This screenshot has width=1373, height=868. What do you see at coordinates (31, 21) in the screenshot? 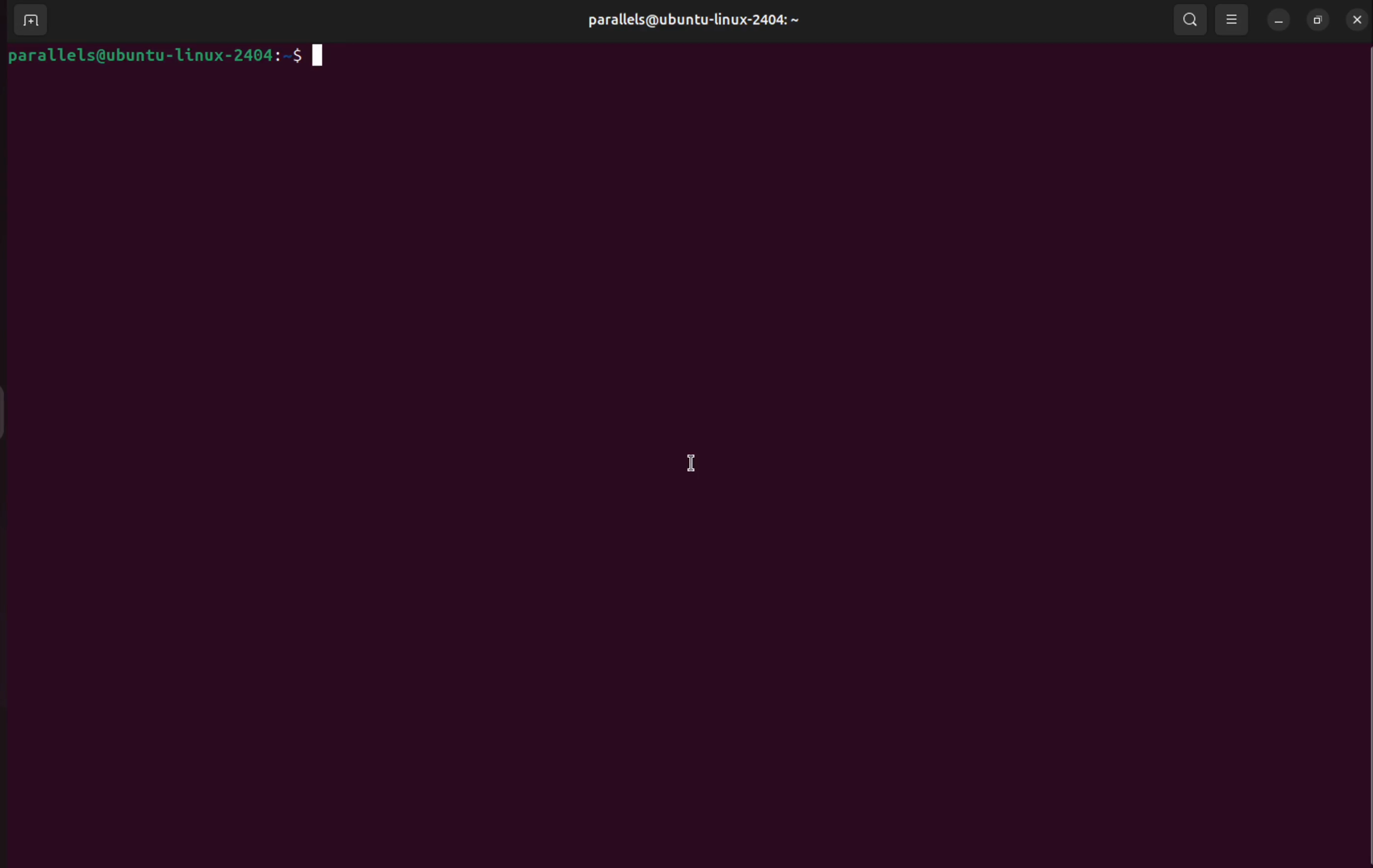
I see `add terminal` at bounding box center [31, 21].